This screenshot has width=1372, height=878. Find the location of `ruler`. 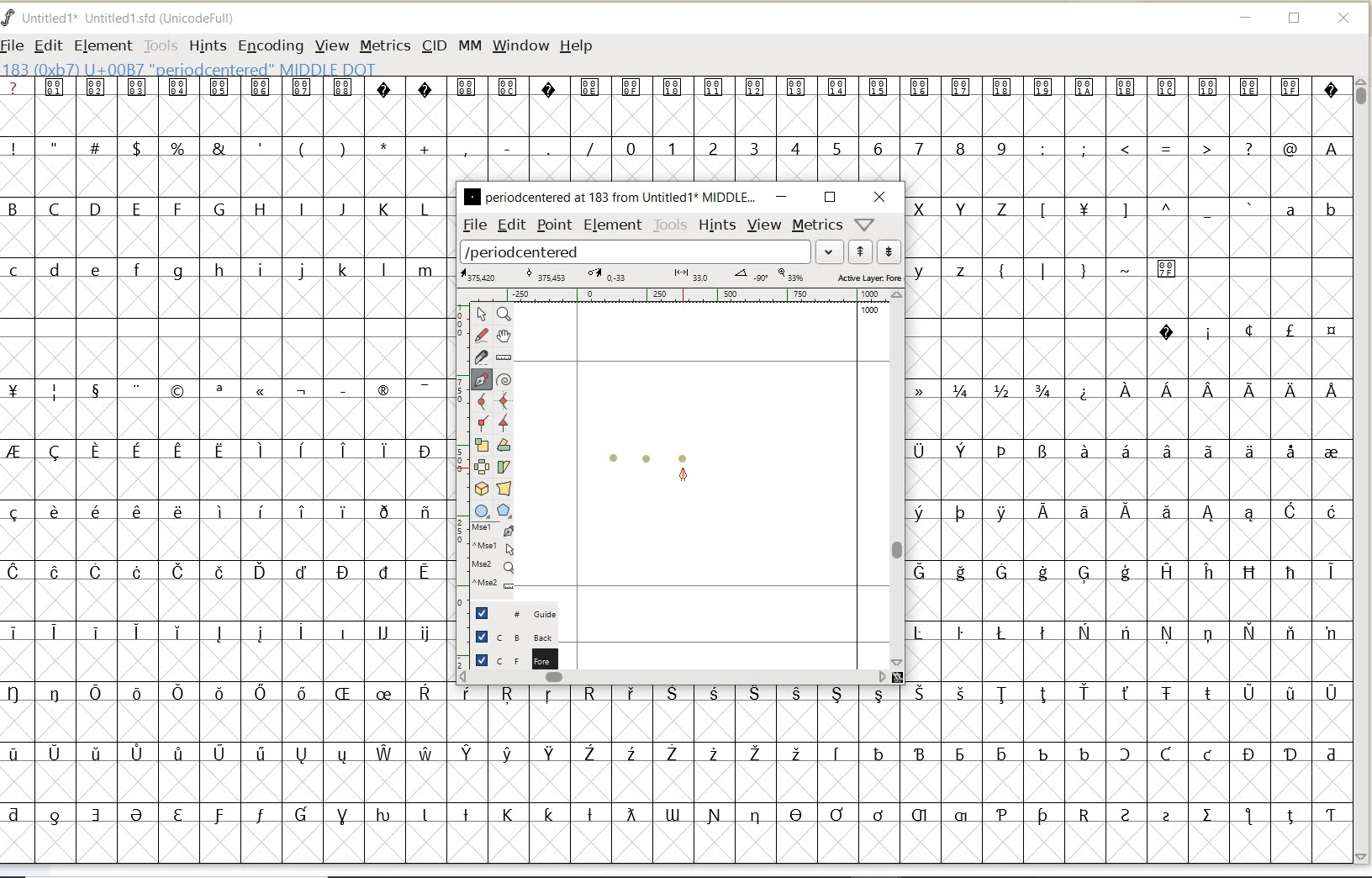

ruler is located at coordinates (683, 296).